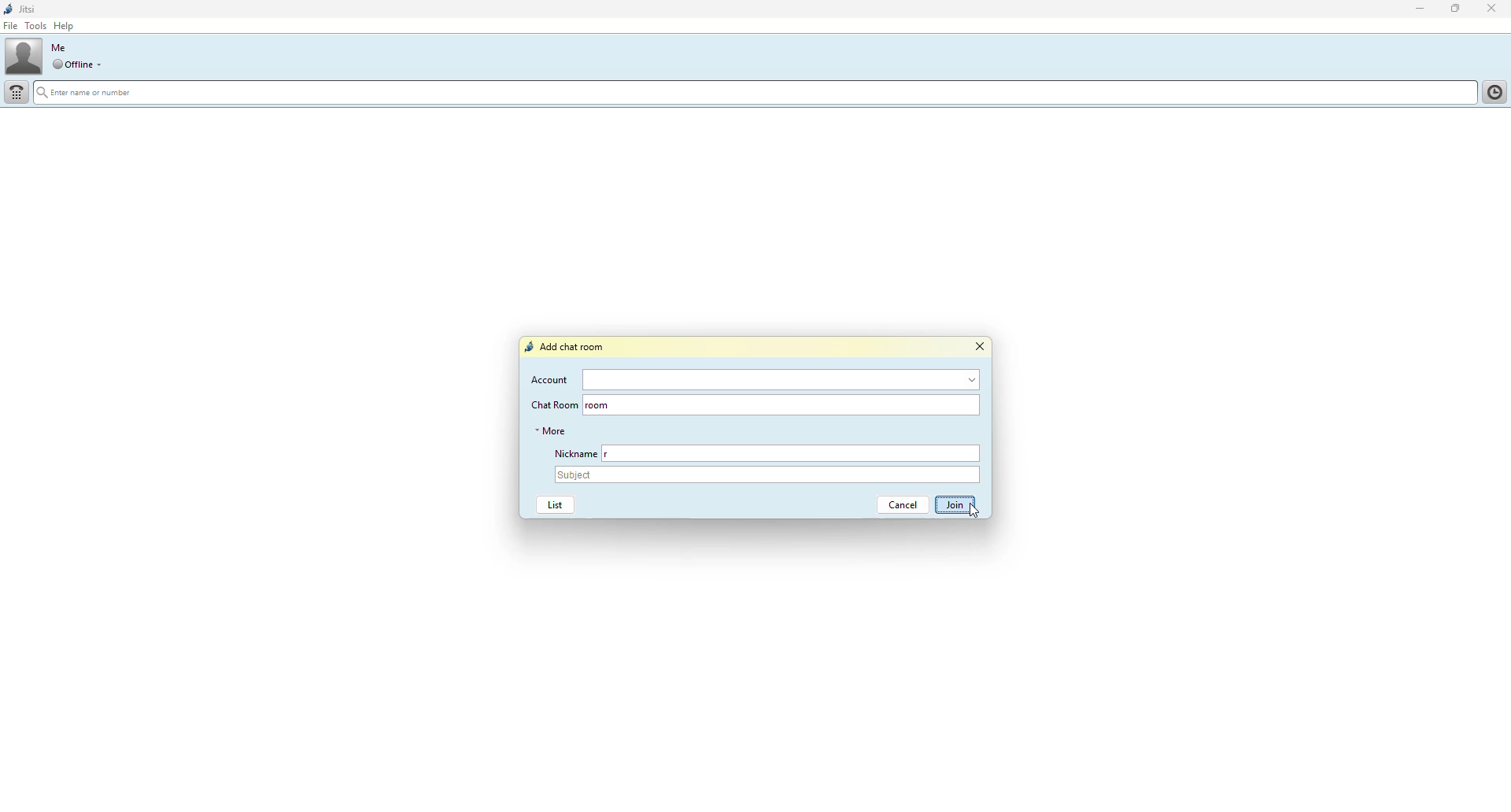  I want to click on minimize, so click(1413, 9).